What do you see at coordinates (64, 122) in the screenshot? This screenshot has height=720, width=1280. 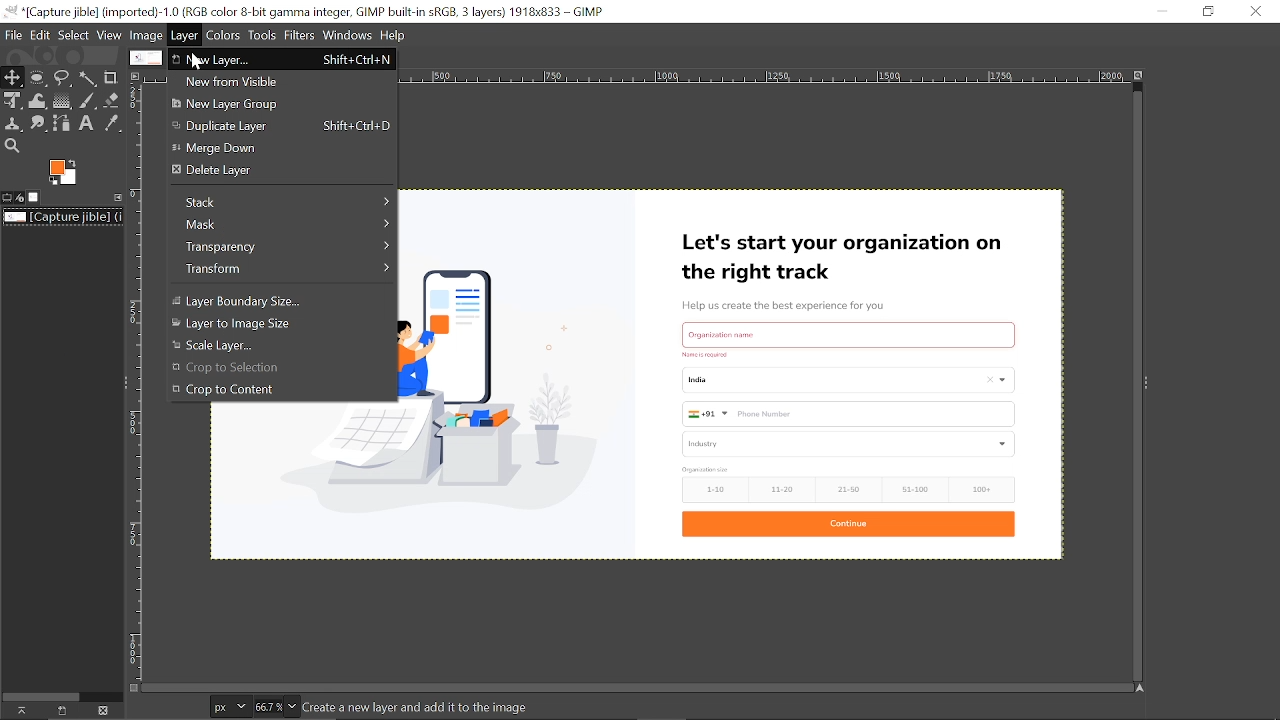 I see `Path tool` at bounding box center [64, 122].